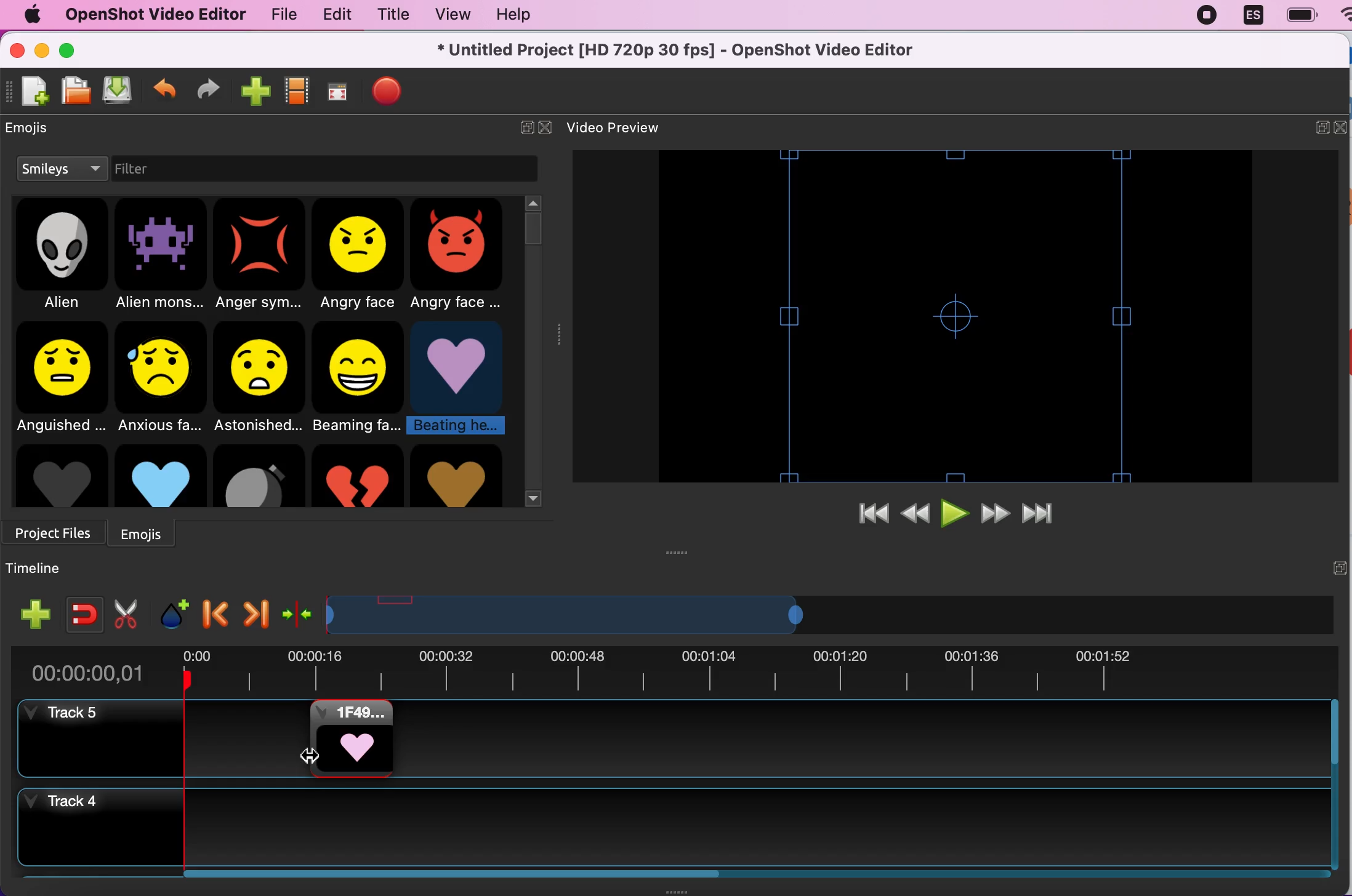 The image size is (1352, 896). What do you see at coordinates (361, 378) in the screenshot?
I see `beaming` at bounding box center [361, 378].